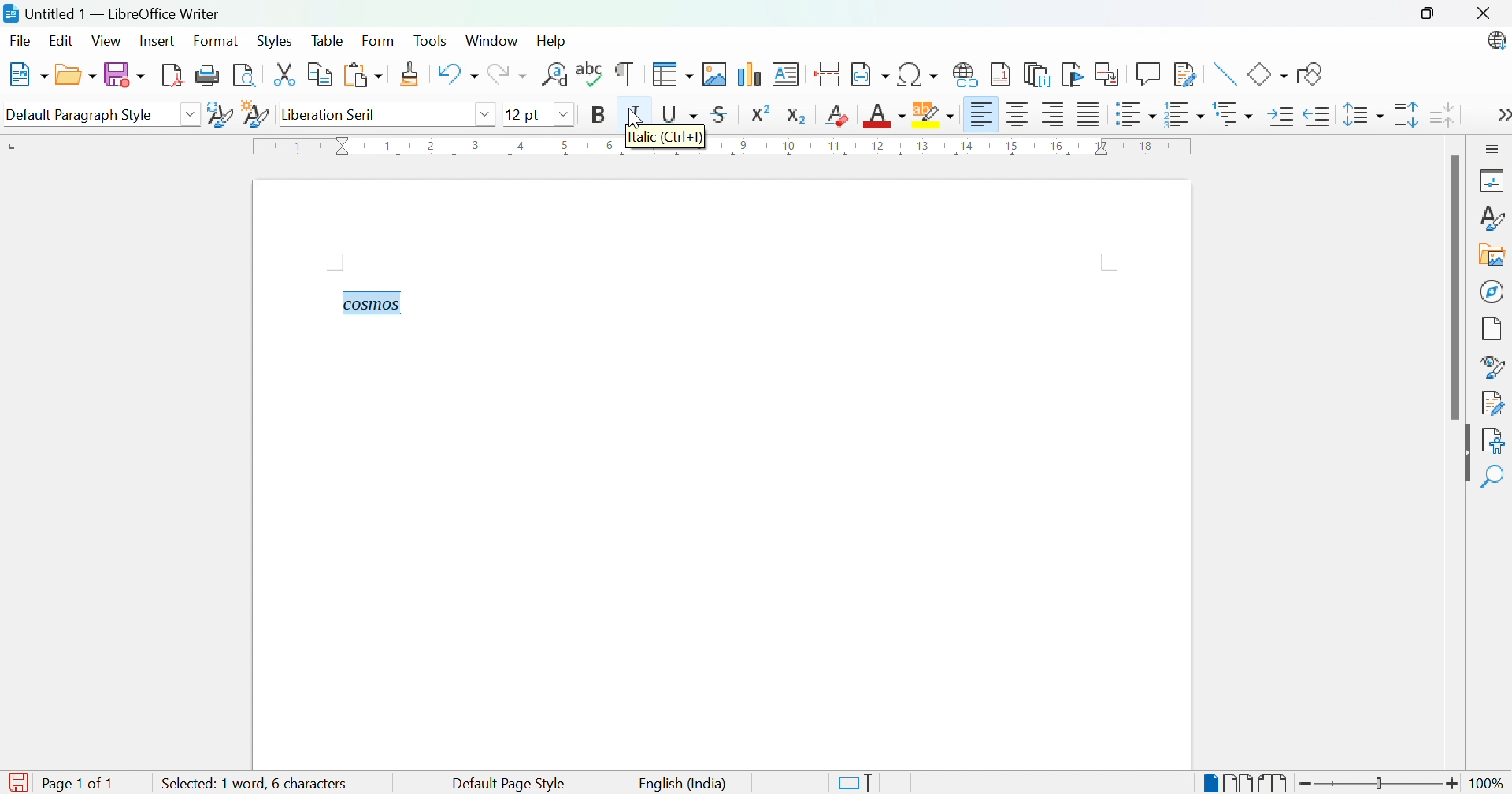 Image resolution: width=1512 pixels, height=794 pixels. Describe the element at coordinates (680, 115) in the screenshot. I see `Underline` at that location.